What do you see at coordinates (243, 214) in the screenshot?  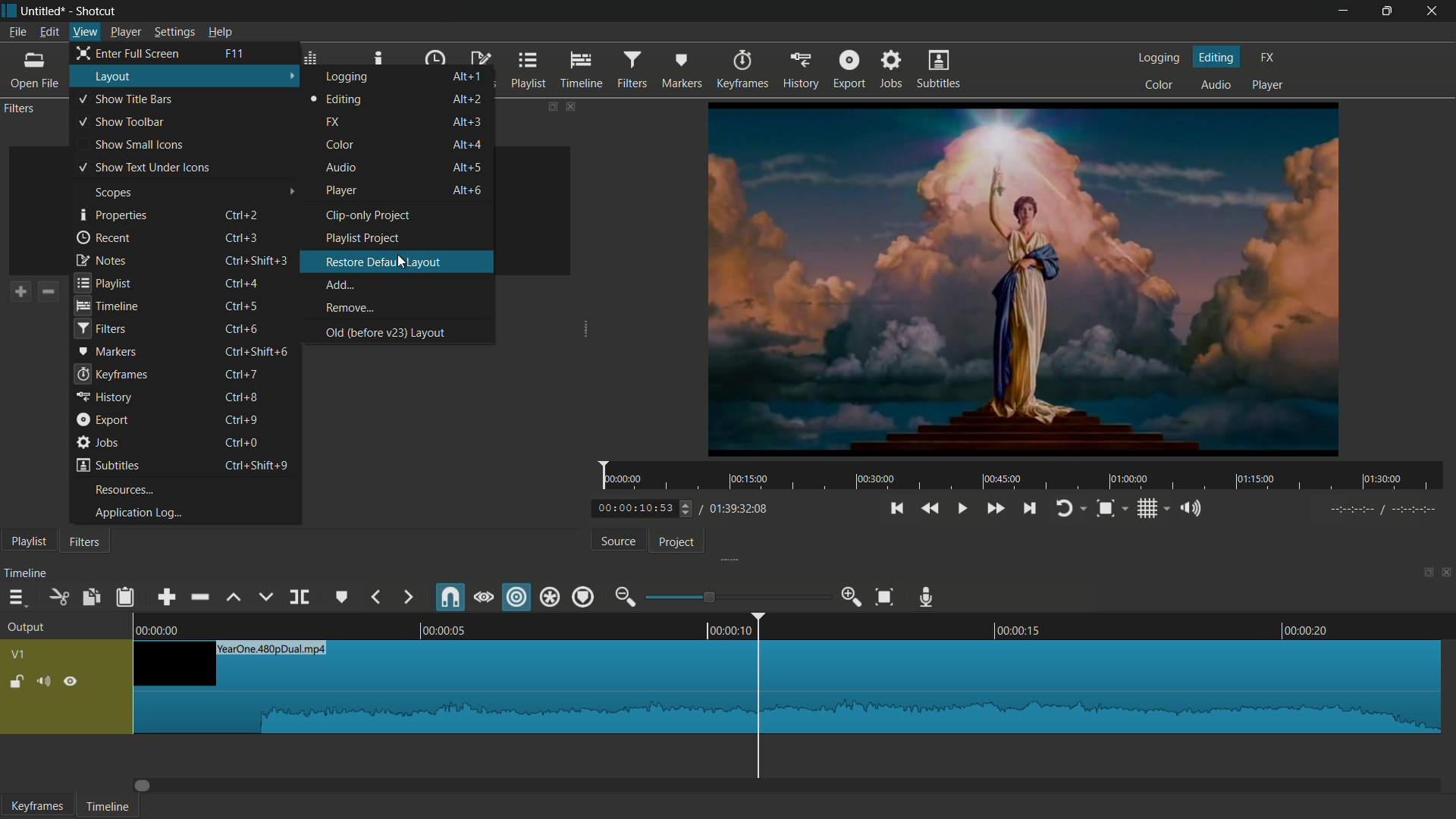 I see `keyboard shortcut` at bounding box center [243, 214].